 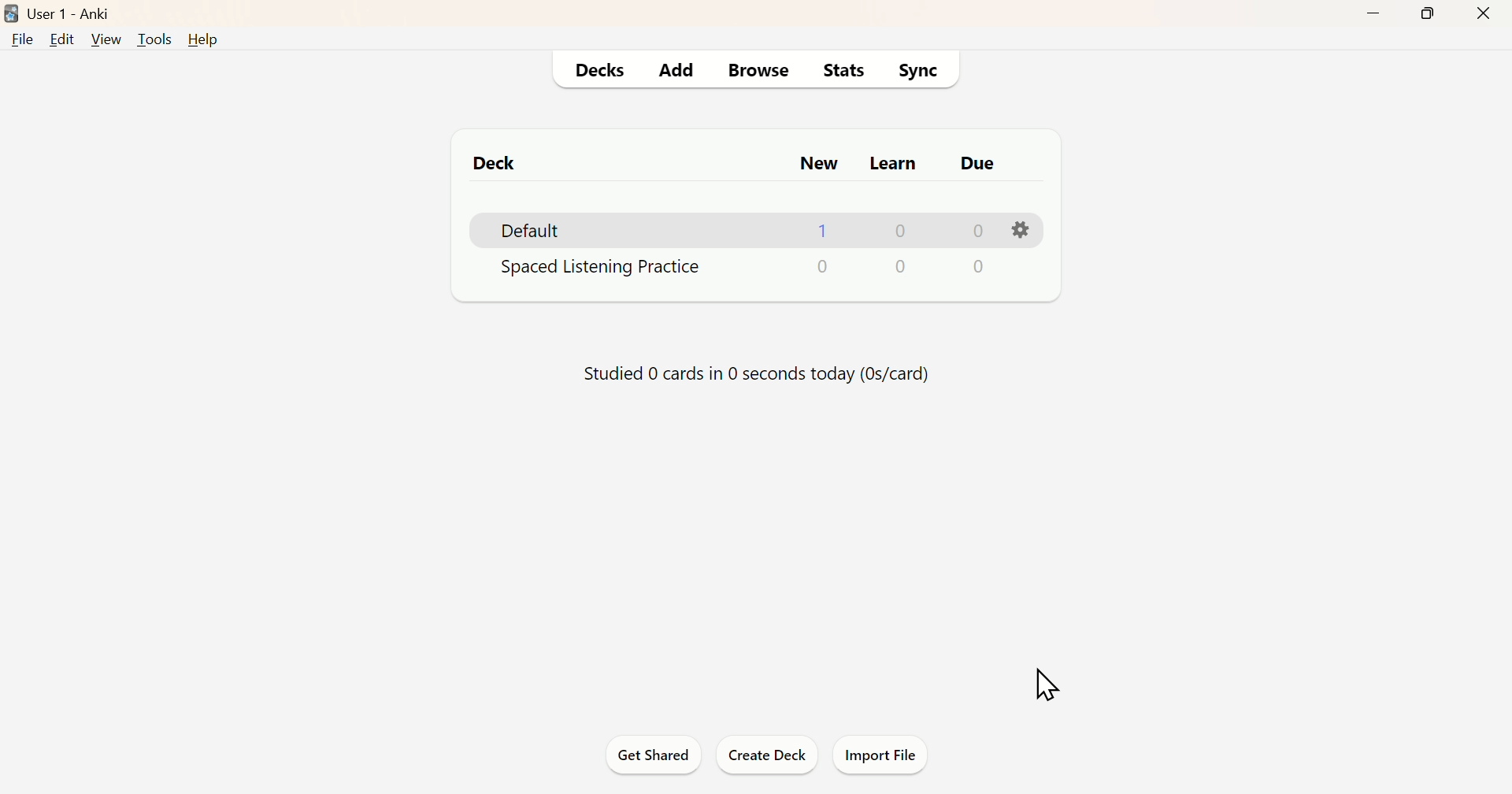 I want to click on Get Shared, so click(x=651, y=752).